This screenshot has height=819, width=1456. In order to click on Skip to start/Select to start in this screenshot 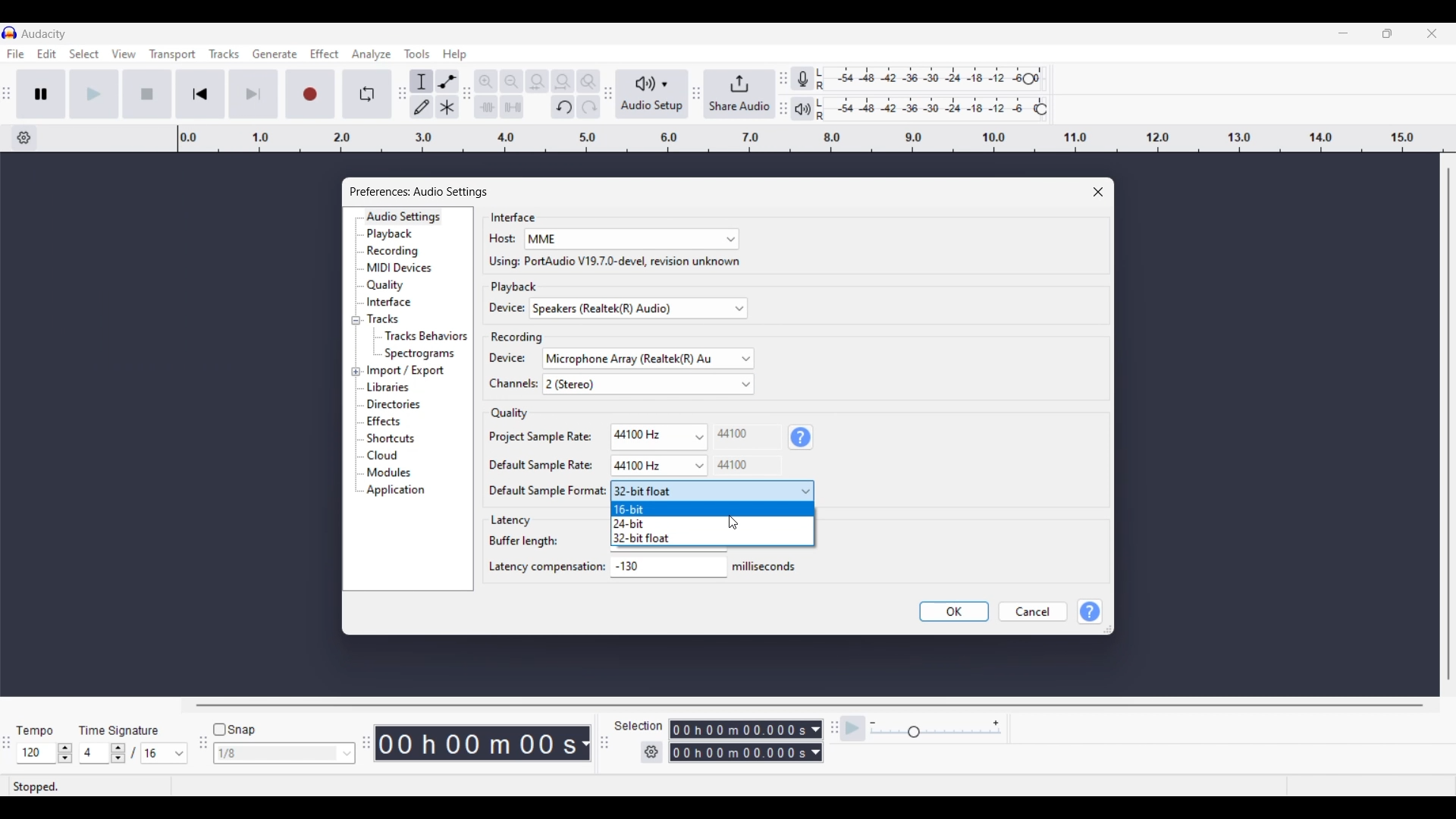, I will do `click(200, 93)`.